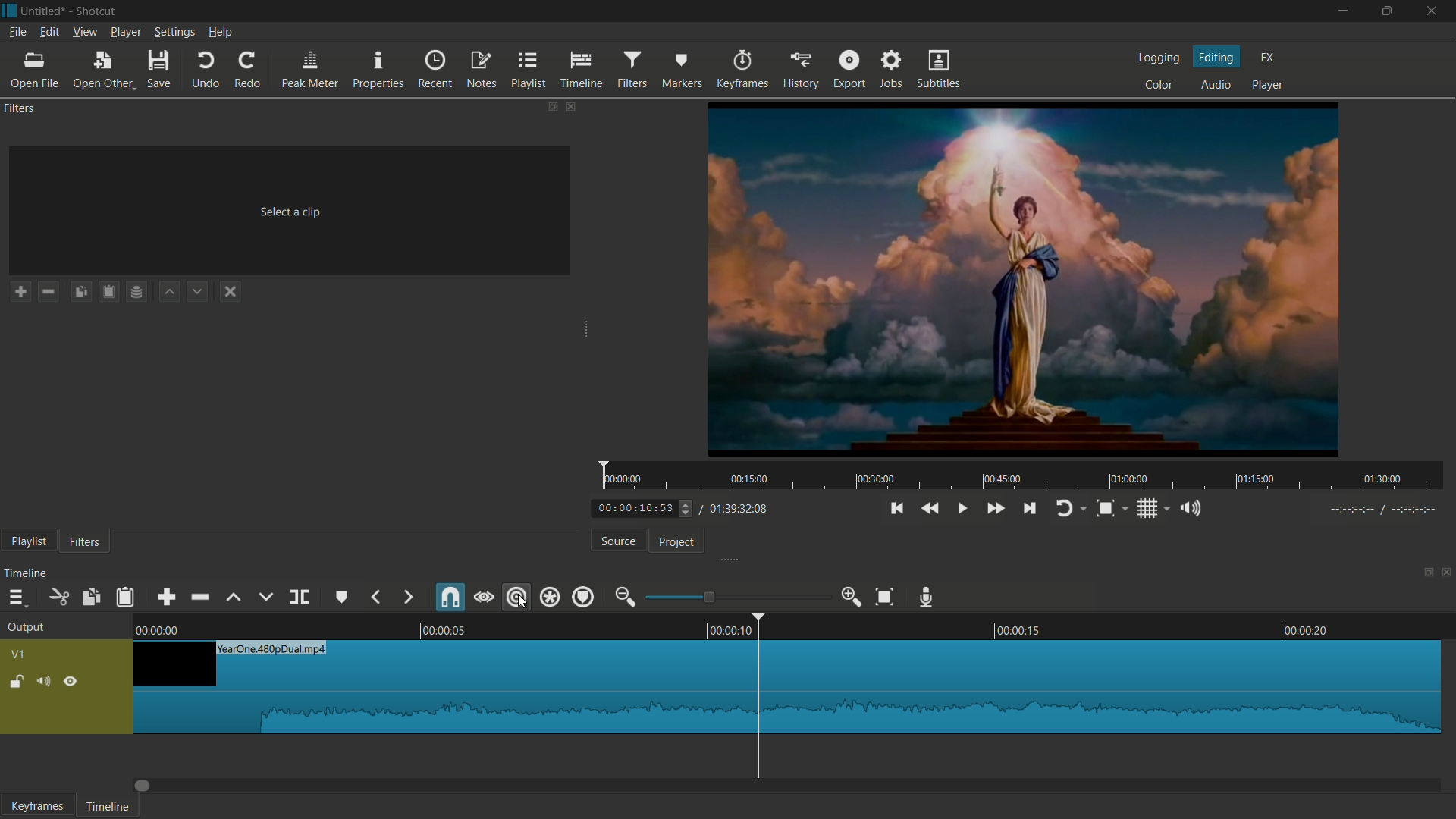 This screenshot has width=1456, height=819. What do you see at coordinates (1384, 510) in the screenshot?
I see `time` at bounding box center [1384, 510].